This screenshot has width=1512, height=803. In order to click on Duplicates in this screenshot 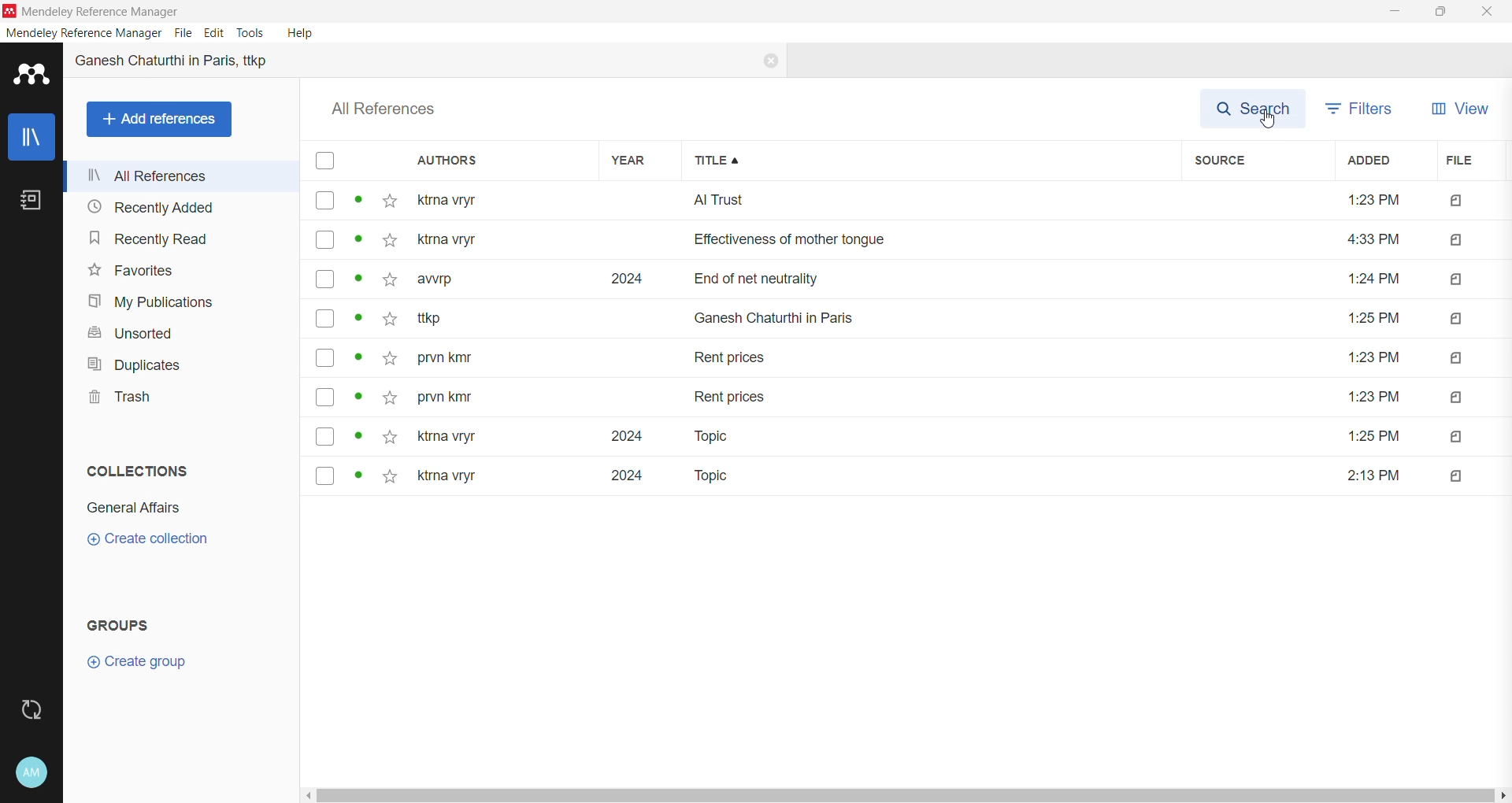, I will do `click(132, 365)`.